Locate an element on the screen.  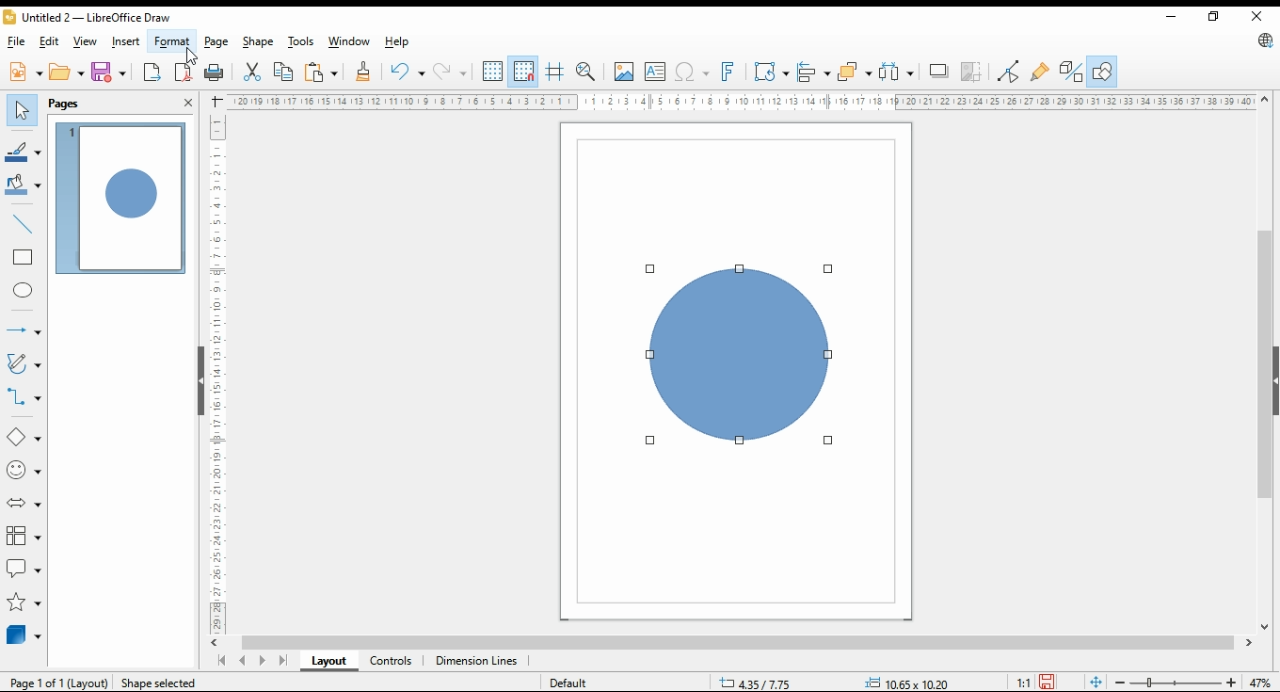
default is located at coordinates (572, 684).